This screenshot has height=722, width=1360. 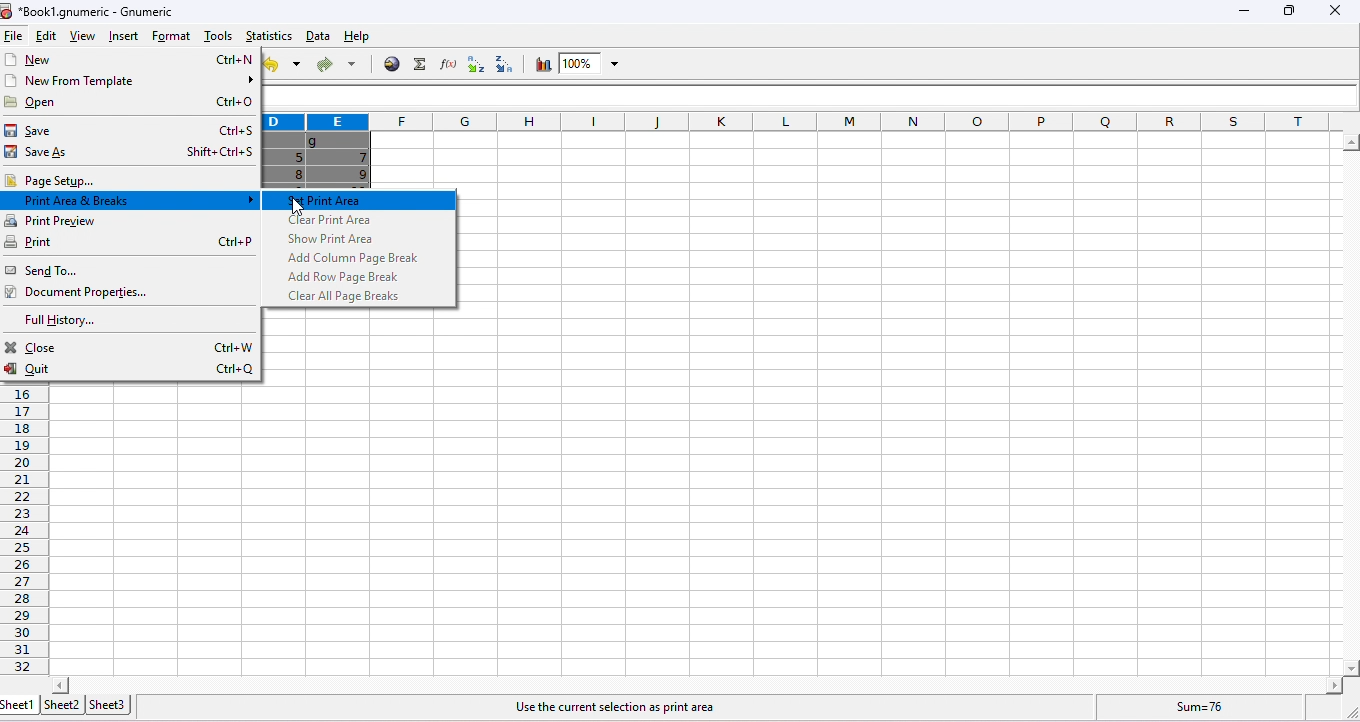 What do you see at coordinates (121, 36) in the screenshot?
I see `insert` at bounding box center [121, 36].